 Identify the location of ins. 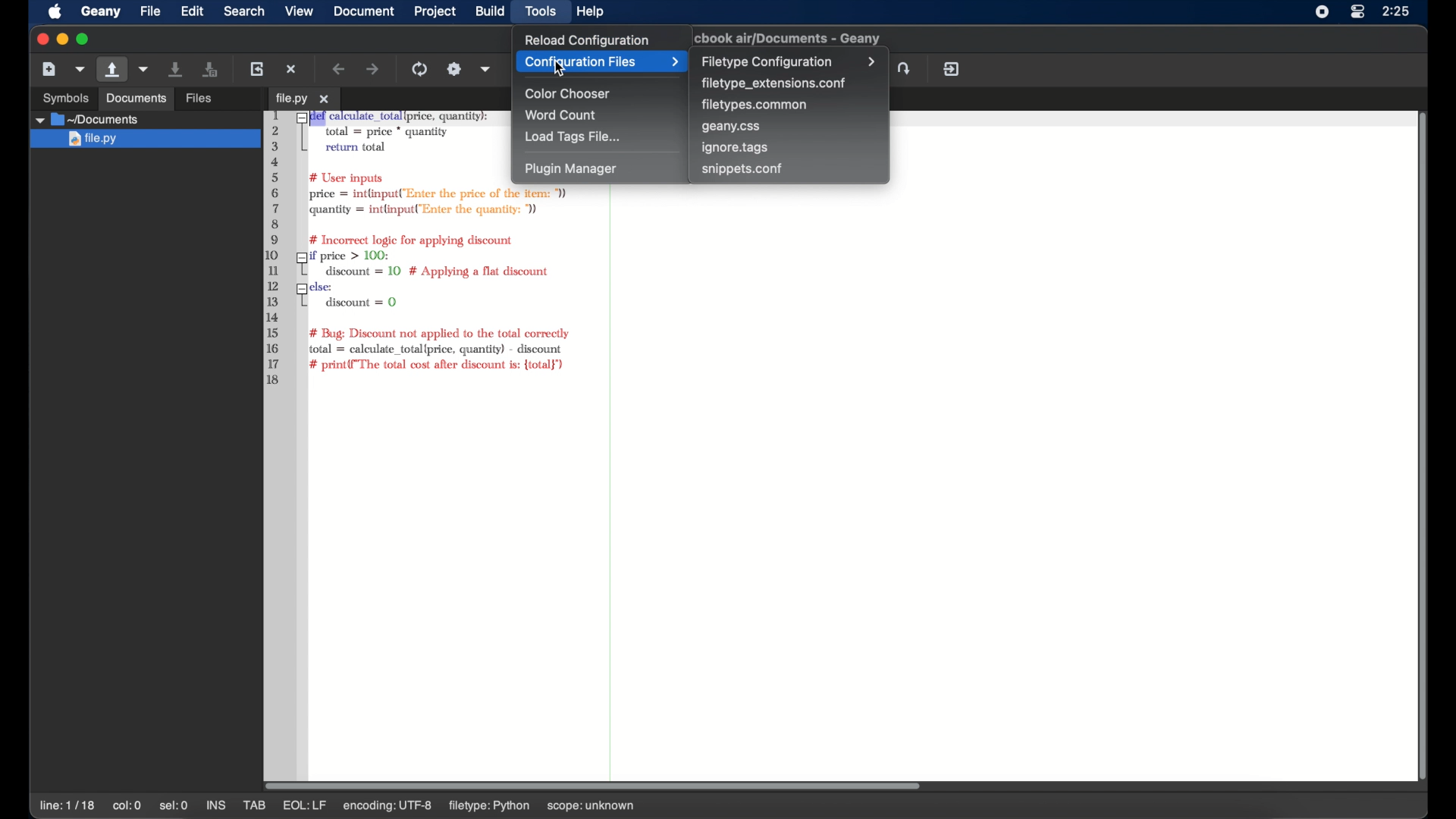
(217, 805).